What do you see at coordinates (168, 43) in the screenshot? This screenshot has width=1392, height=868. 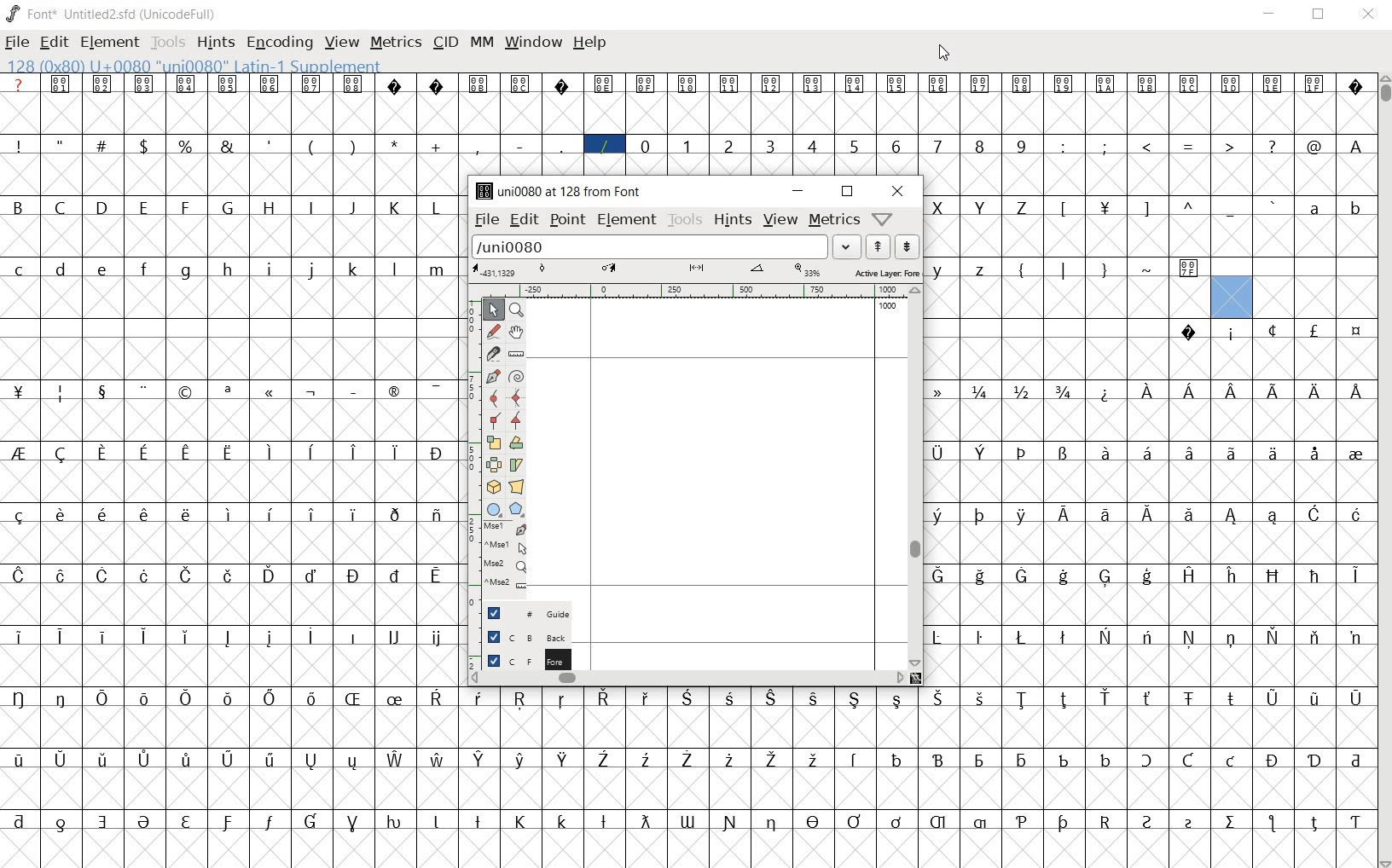 I see `TOOLS` at bounding box center [168, 43].